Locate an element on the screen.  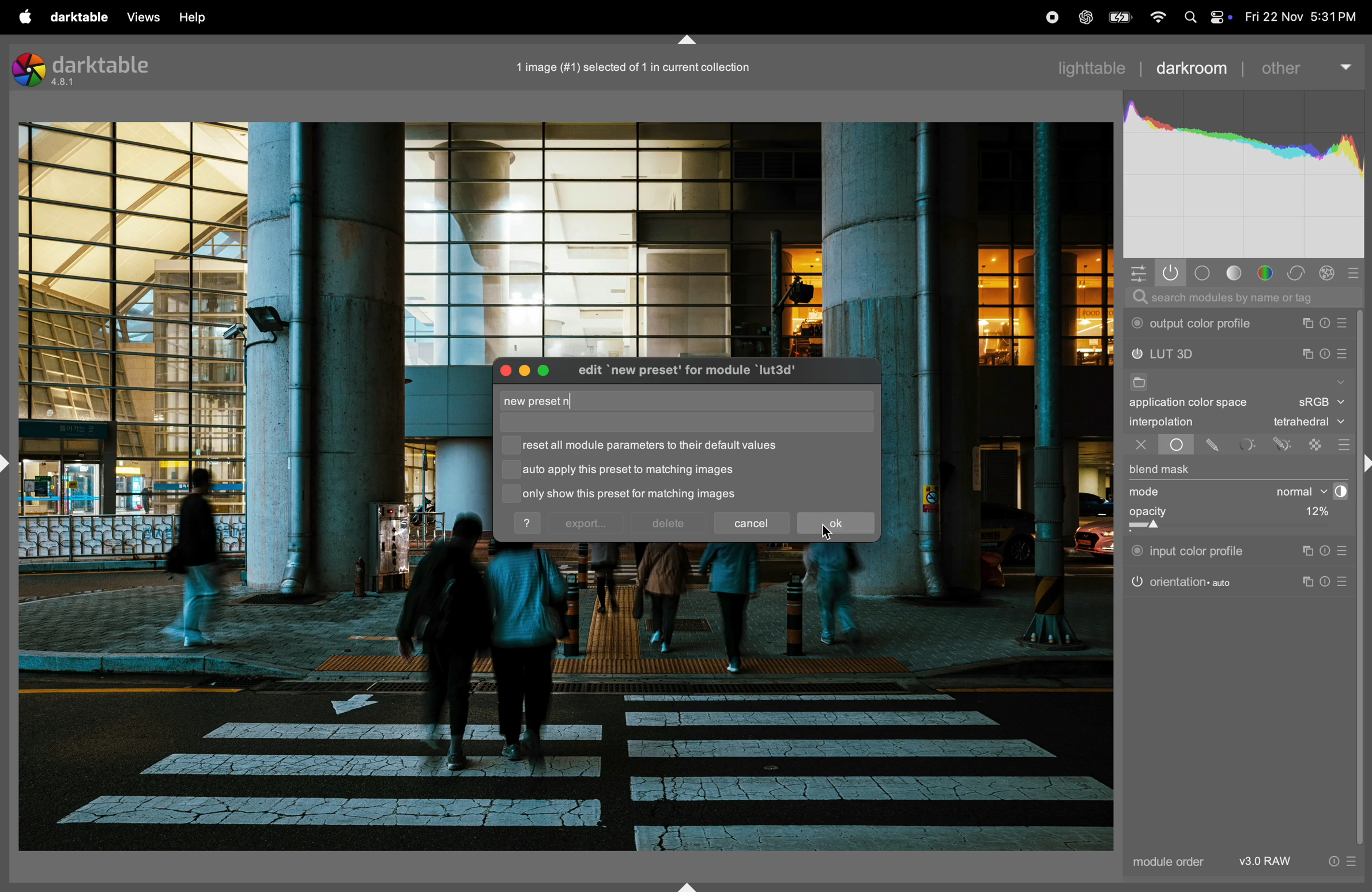
module order is located at coordinates (1165, 863).